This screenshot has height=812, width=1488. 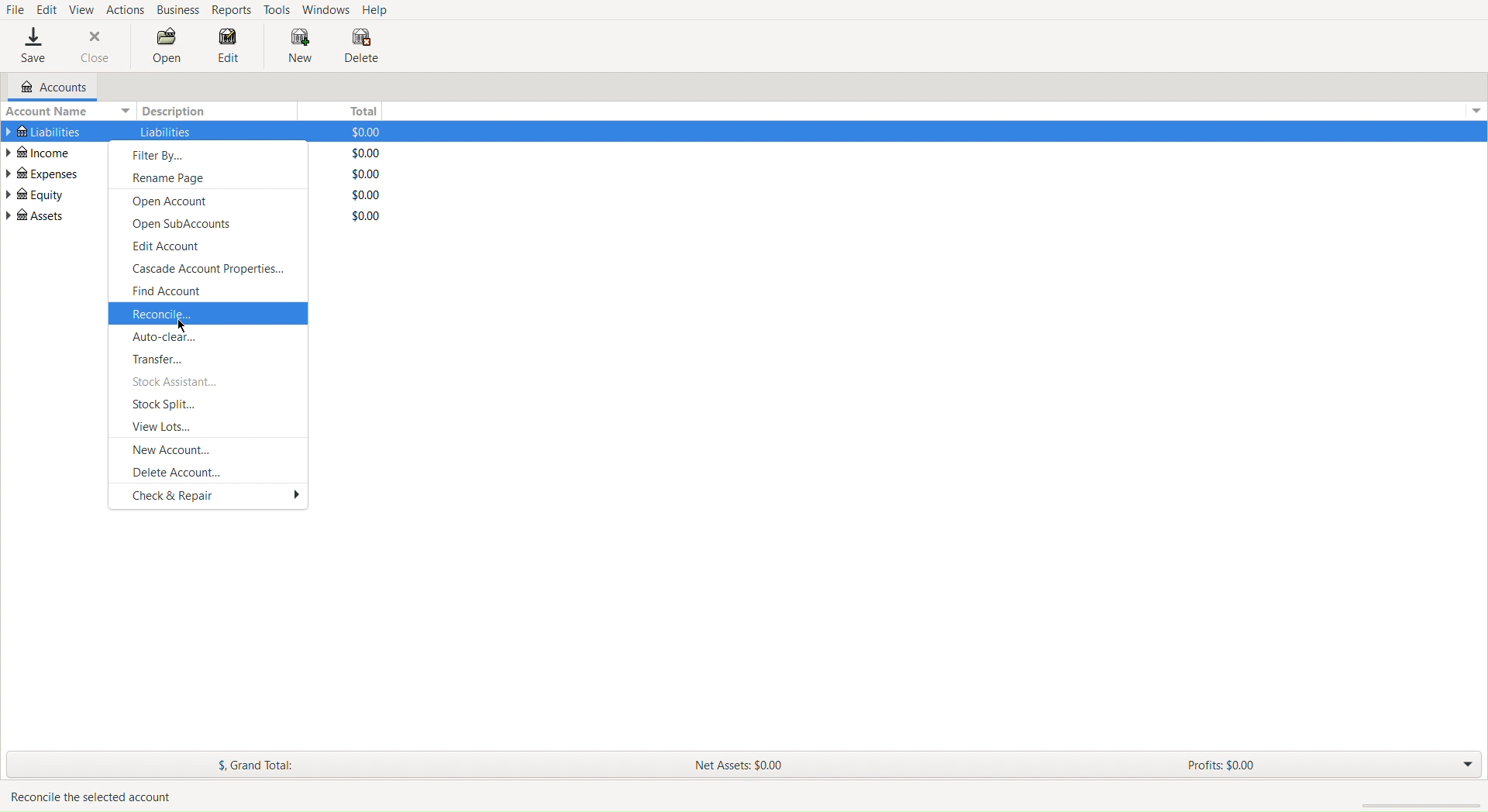 What do you see at coordinates (367, 151) in the screenshot?
I see `Total` at bounding box center [367, 151].